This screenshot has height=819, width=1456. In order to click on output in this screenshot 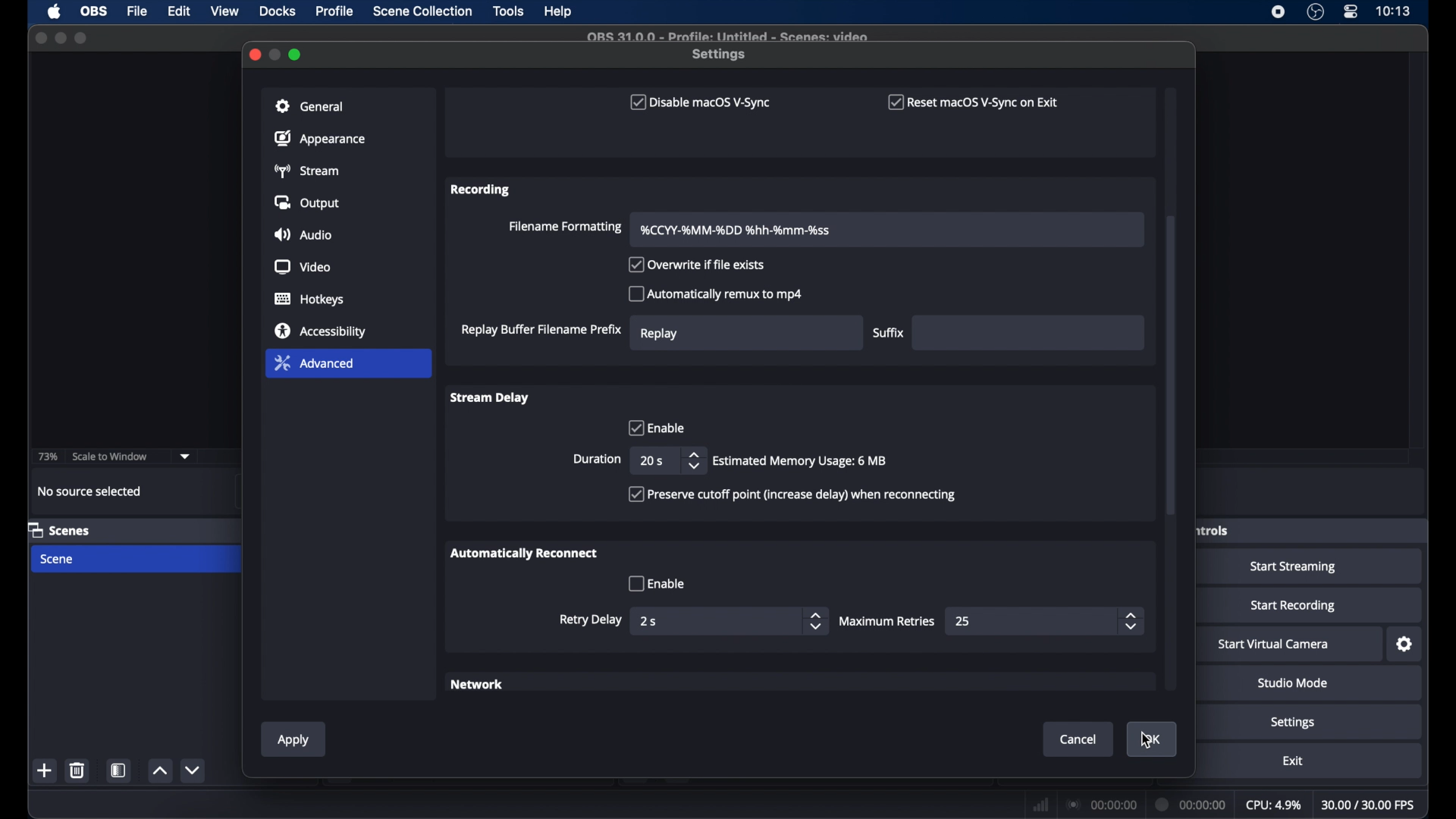, I will do `click(309, 202)`.